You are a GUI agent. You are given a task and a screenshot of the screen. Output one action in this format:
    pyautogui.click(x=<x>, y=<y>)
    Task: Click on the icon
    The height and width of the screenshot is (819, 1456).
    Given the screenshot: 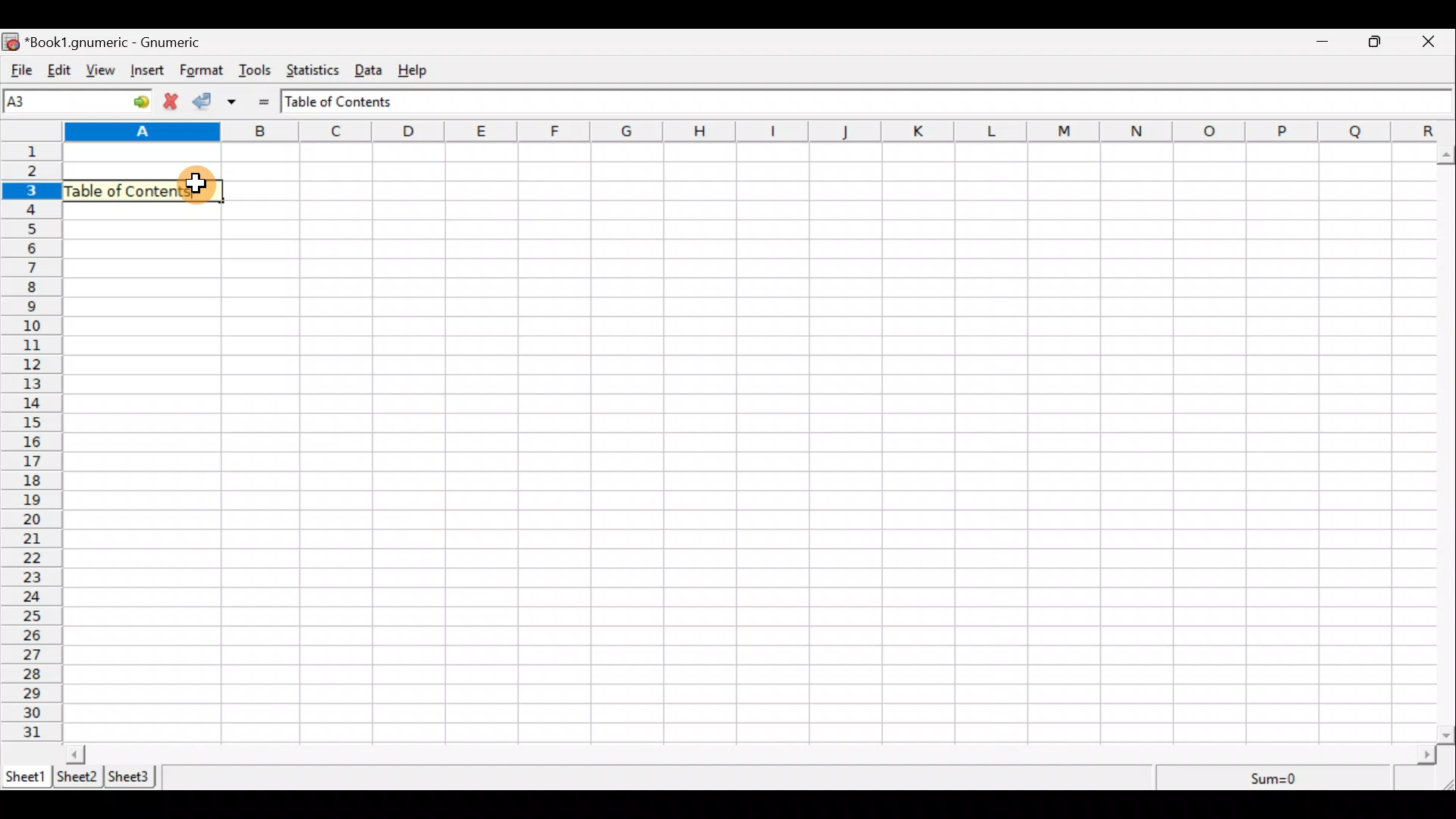 What is the action you would take?
    pyautogui.click(x=11, y=42)
    